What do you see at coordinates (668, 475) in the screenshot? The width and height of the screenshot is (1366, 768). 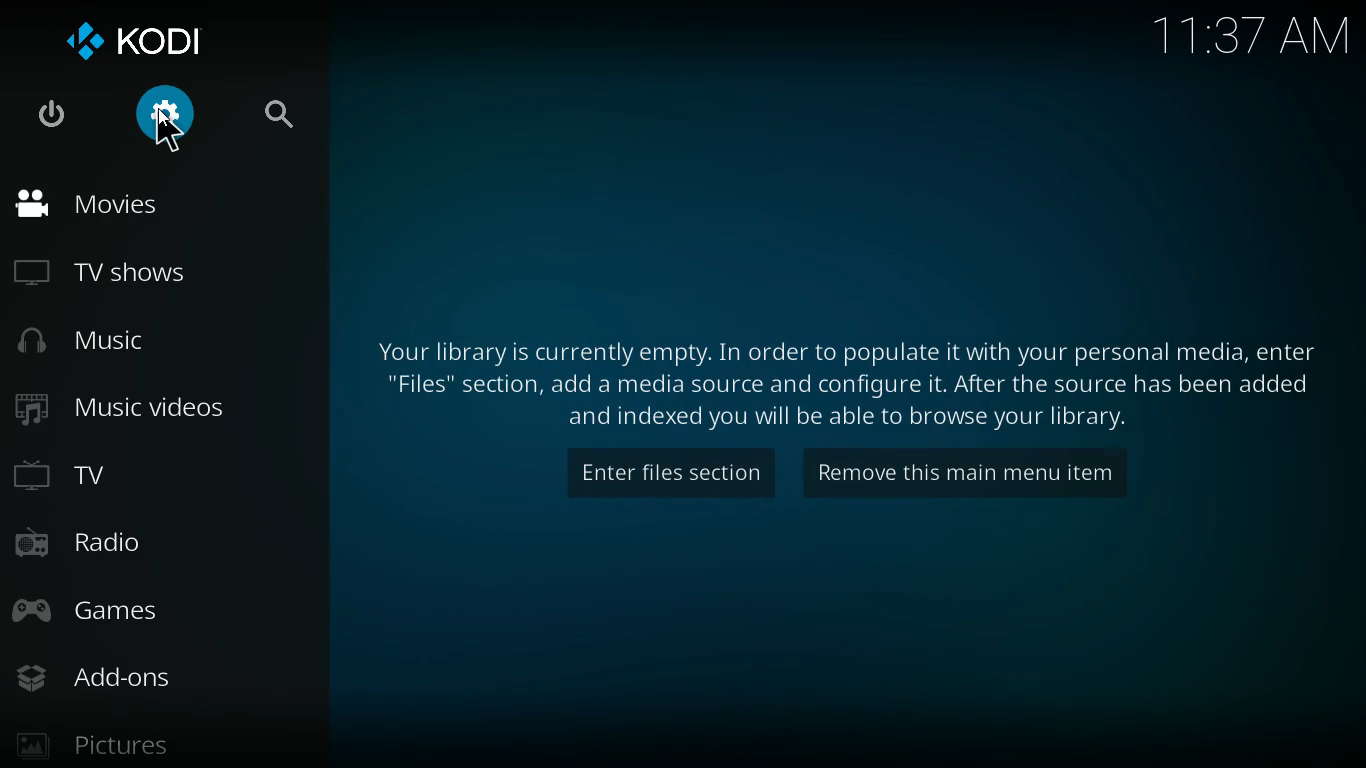 I see `enter files section` at bounding box center [668, 475].